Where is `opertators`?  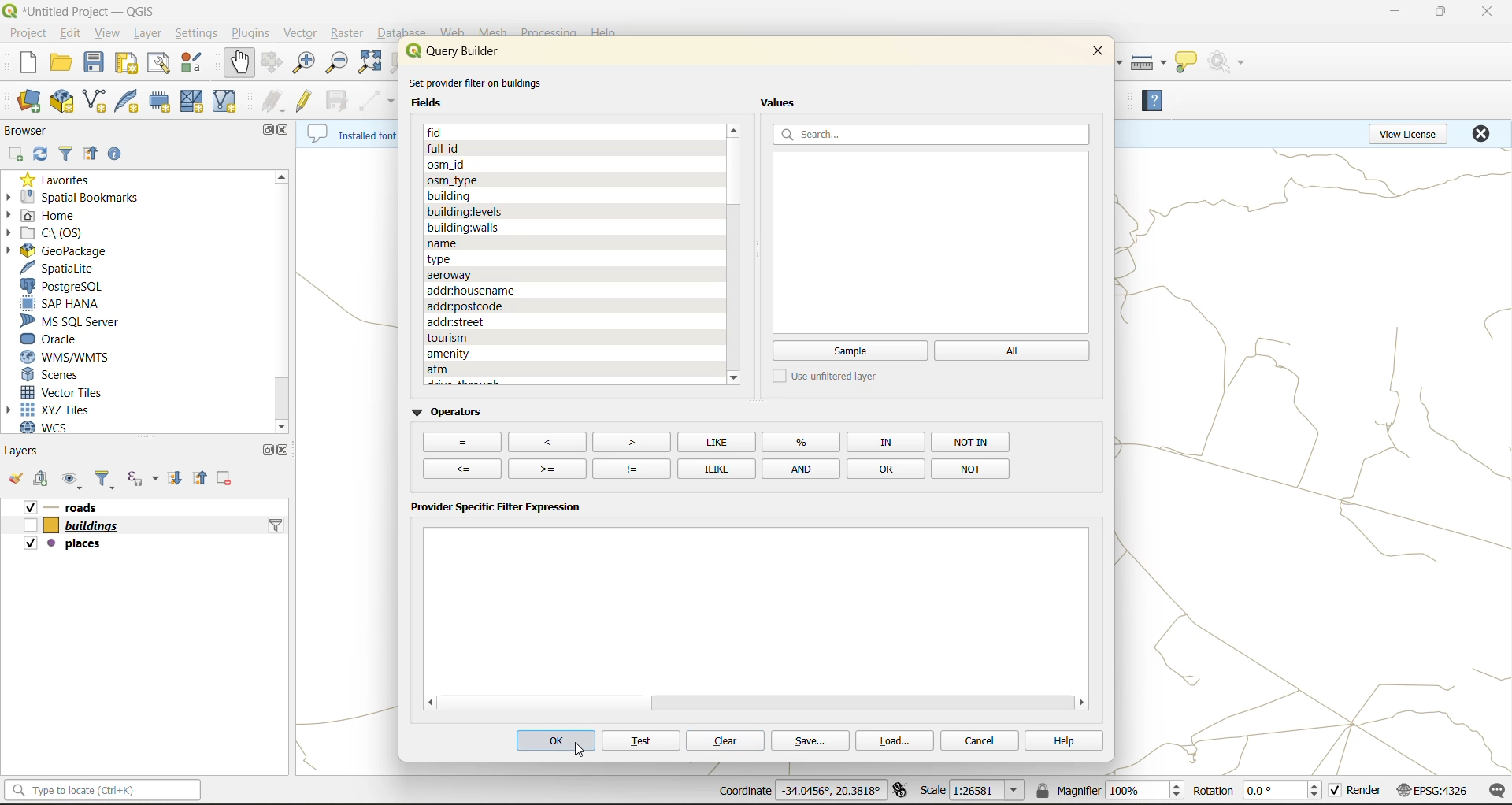
opertators is located at coordinates (885, 441).